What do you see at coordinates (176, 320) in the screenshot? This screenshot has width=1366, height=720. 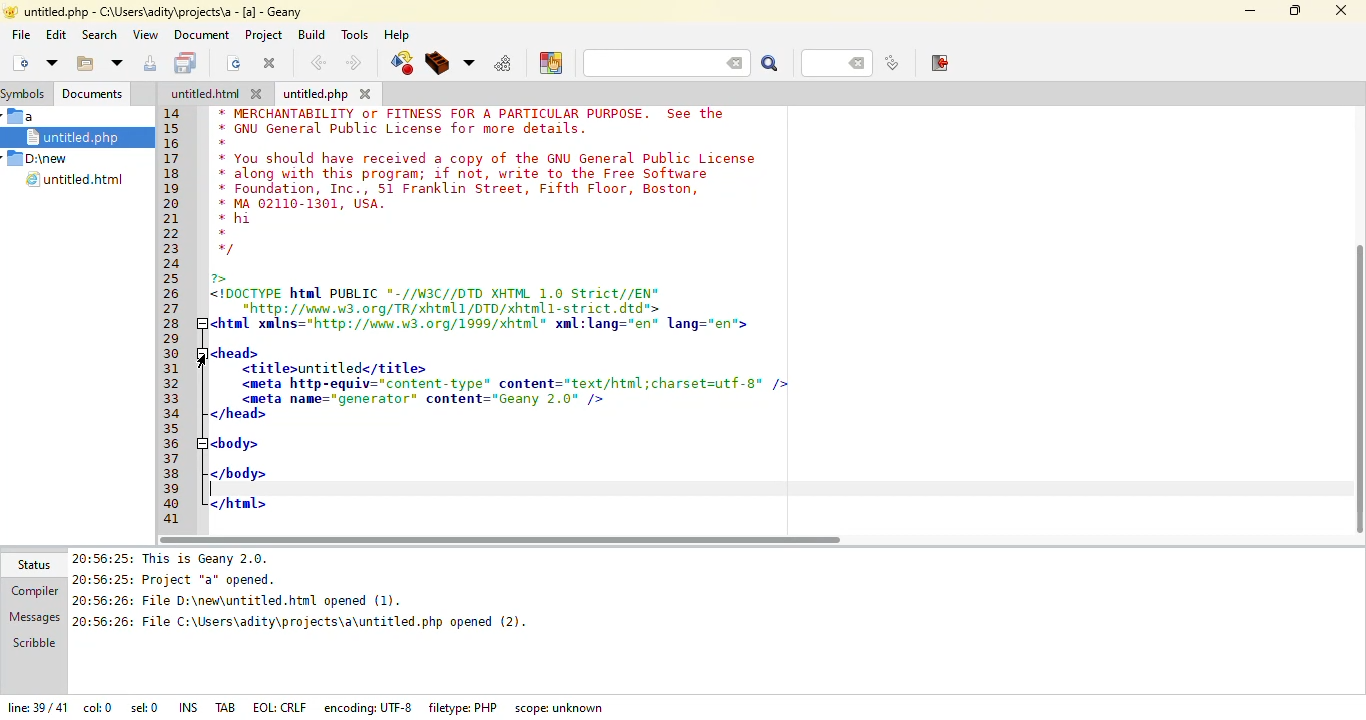 I see `line number` at bounding box center [176, 320].